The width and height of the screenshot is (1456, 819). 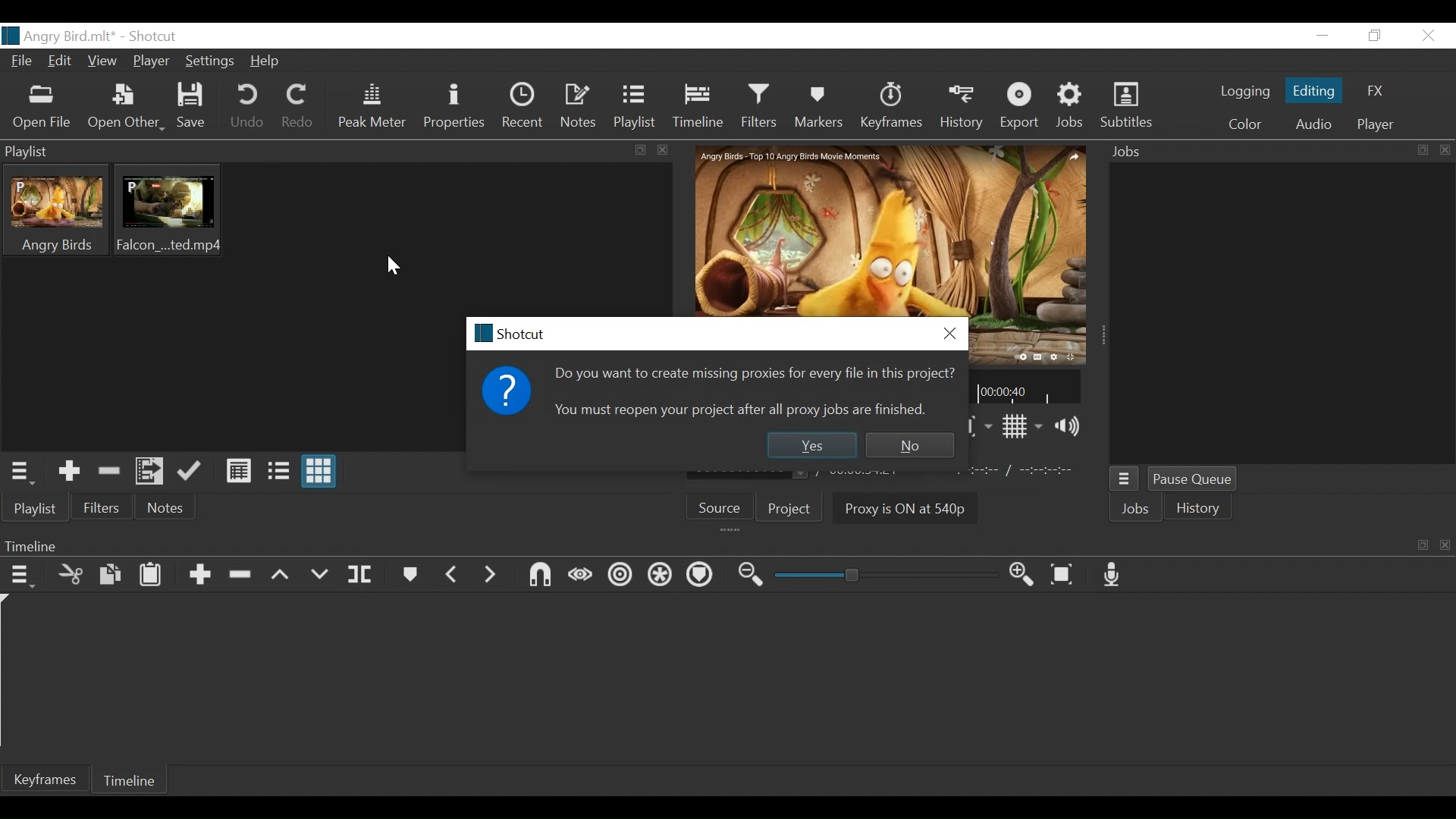 What do you see at coordinates (579, 573) in the screenshot?
I see `Scrub while dragging` at bounding box center [579, 573].